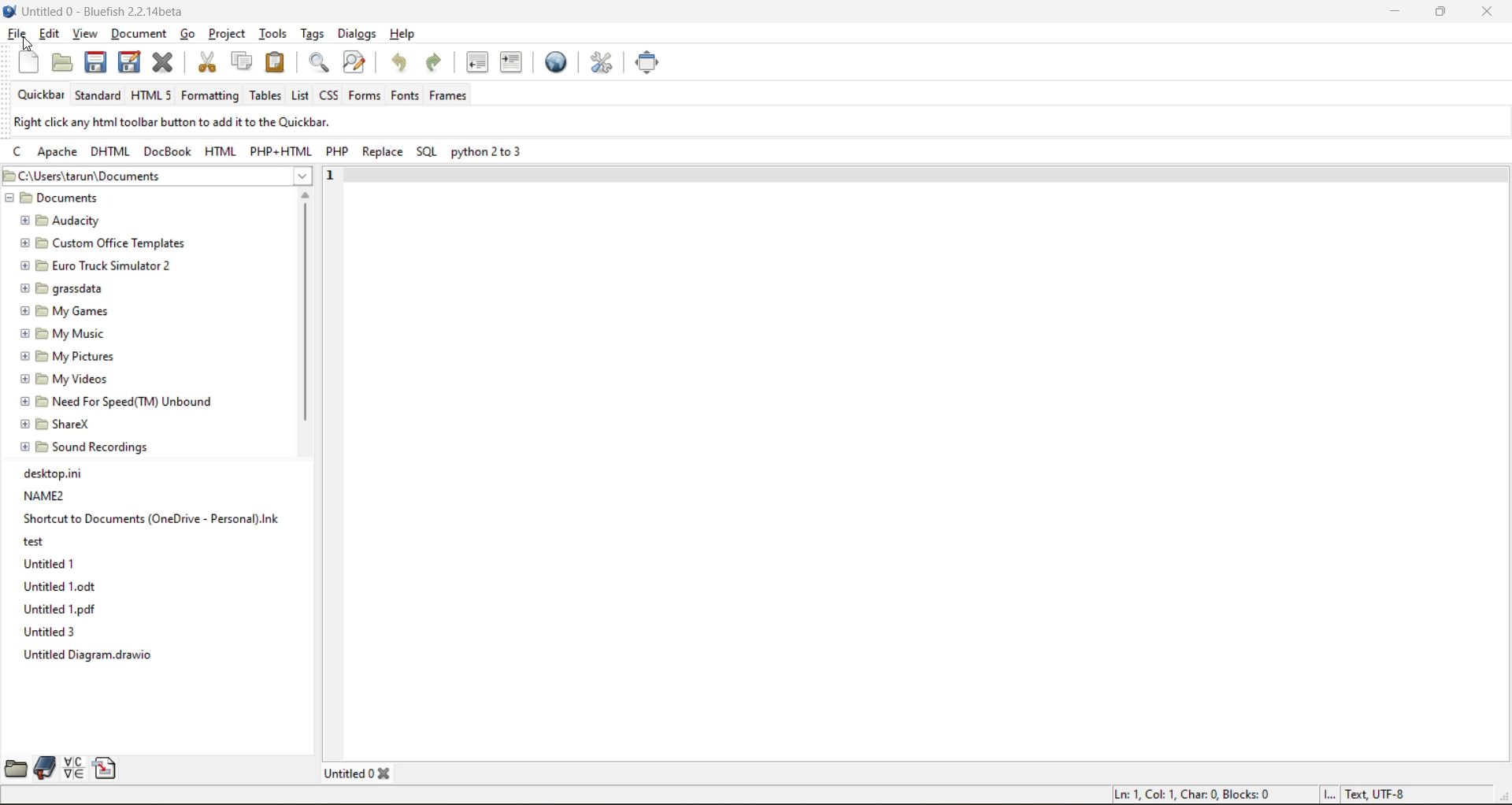  Describe the element at coordinates (480, 62) in the screenshot. I see `unindent` at that location.